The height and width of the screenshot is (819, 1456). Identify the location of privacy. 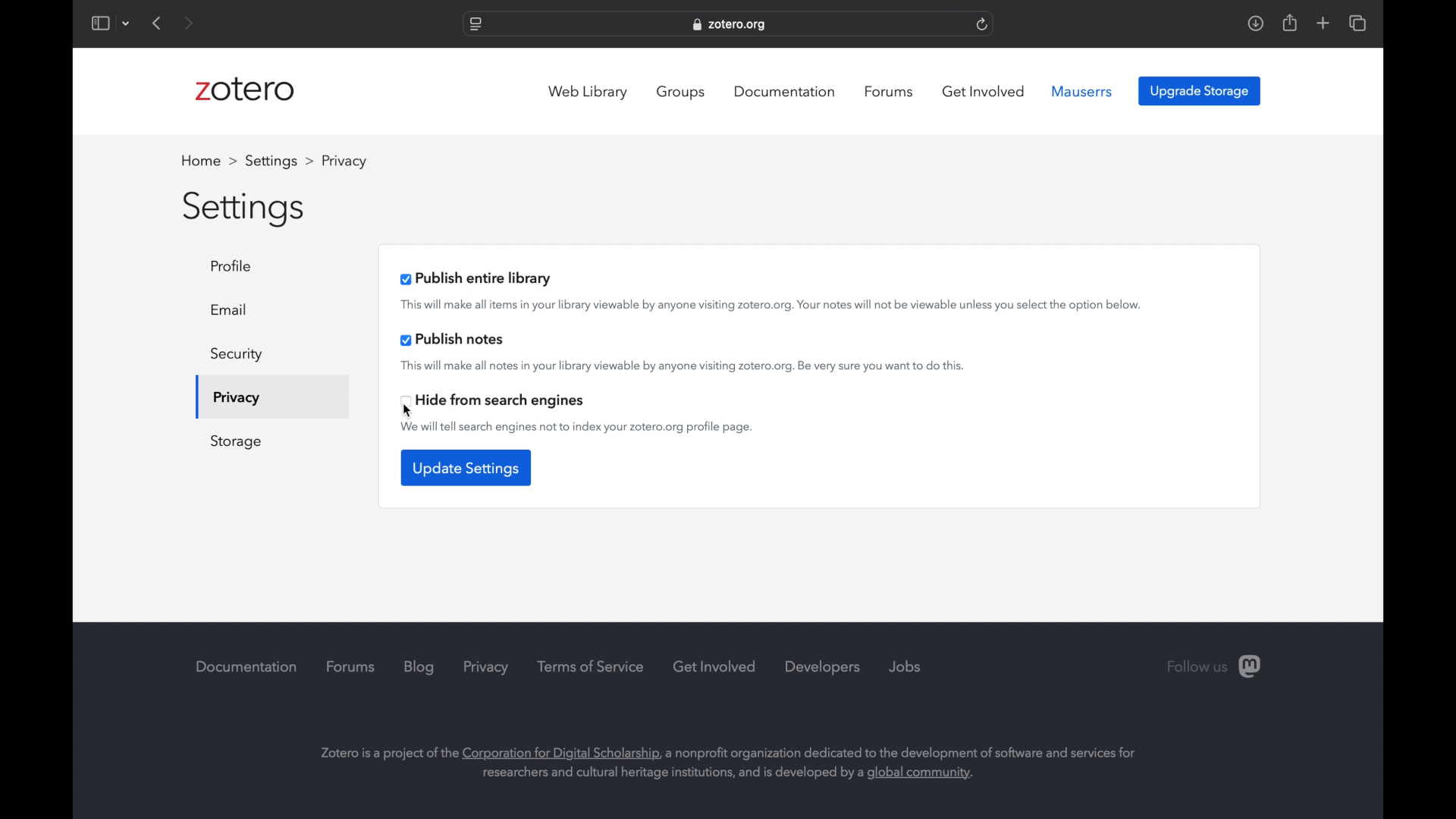
(235, 399).